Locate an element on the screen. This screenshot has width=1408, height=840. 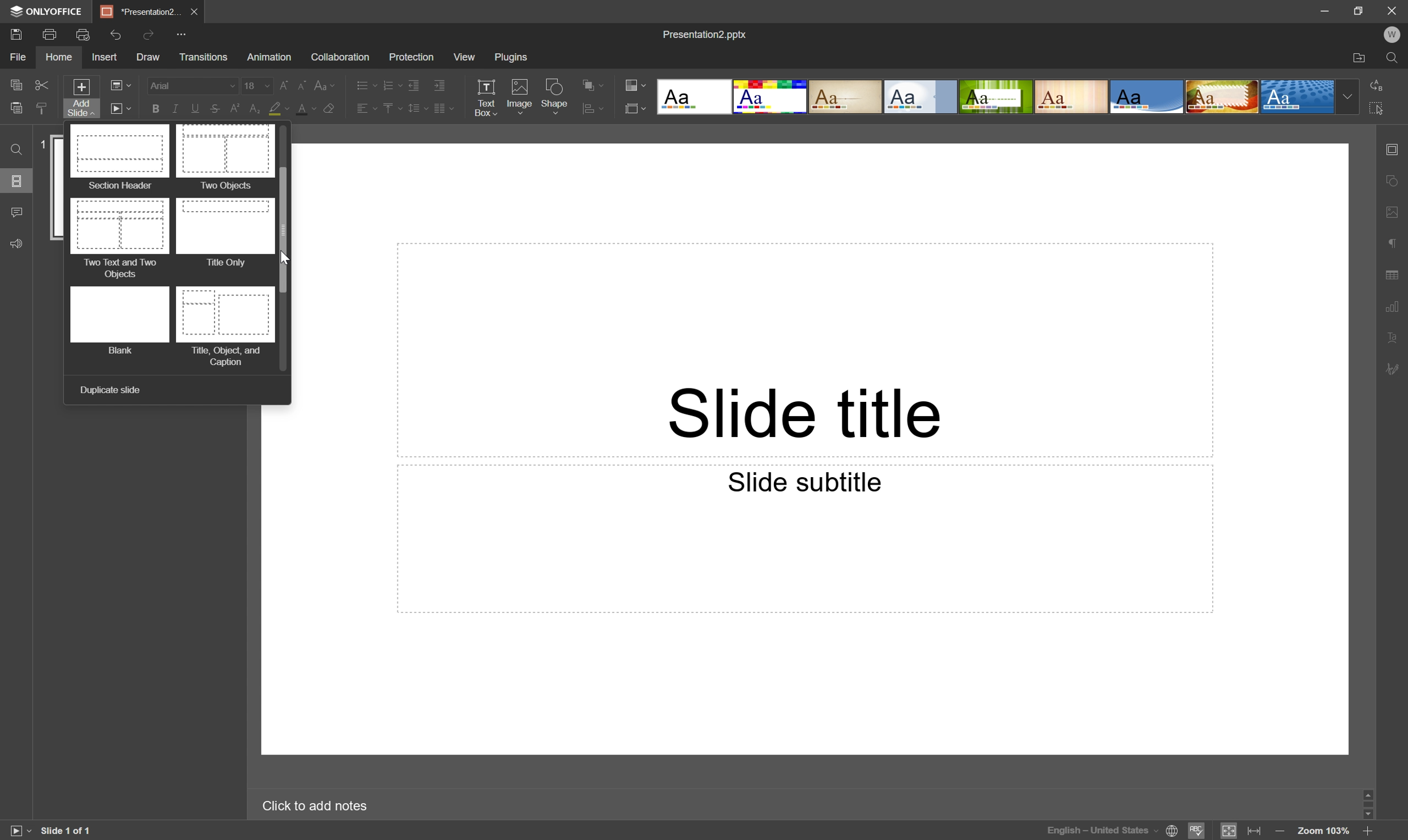
Click to add notes is located at coordinates (322, 804).